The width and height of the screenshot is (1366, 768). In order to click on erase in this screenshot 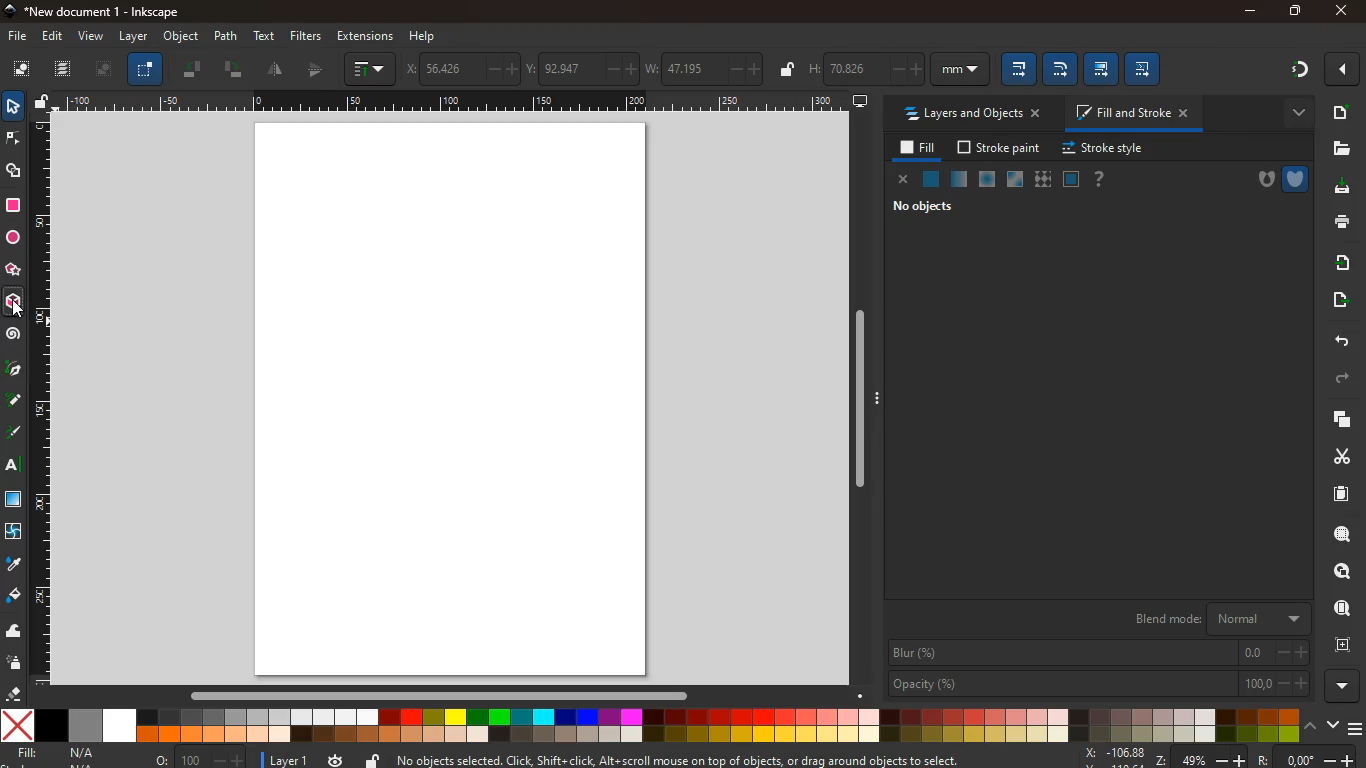, I will do `click(15, 694)`.